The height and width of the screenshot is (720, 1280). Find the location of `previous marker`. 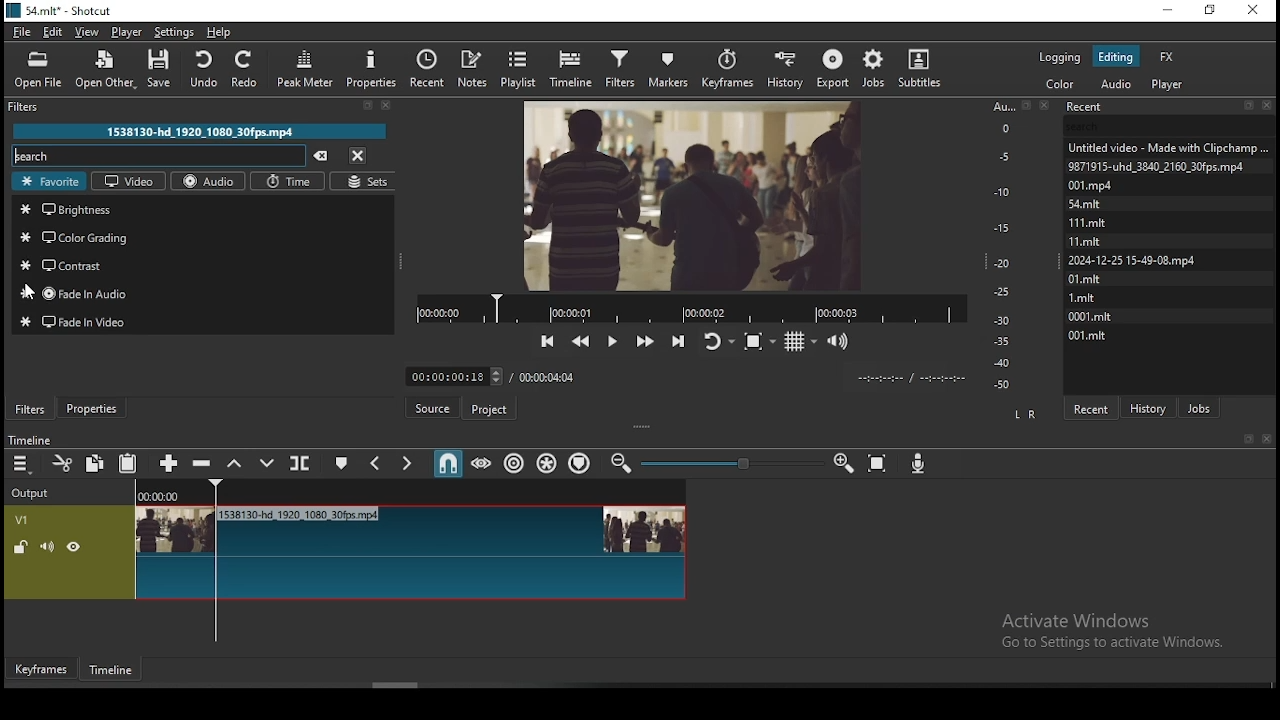

previous marker is located at coordinates (375, 463).